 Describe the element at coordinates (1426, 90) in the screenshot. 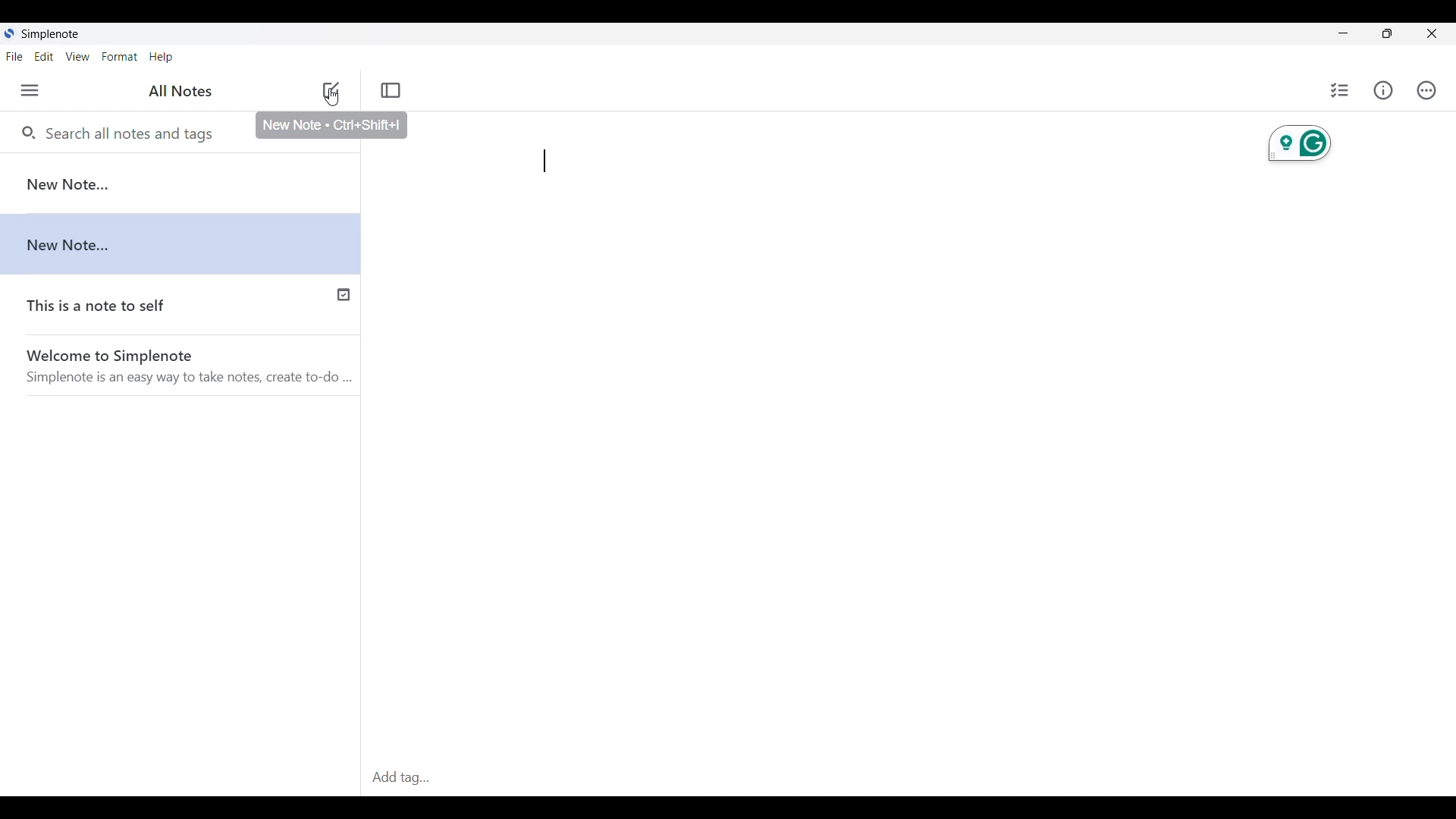

I see `Actions` at that location.